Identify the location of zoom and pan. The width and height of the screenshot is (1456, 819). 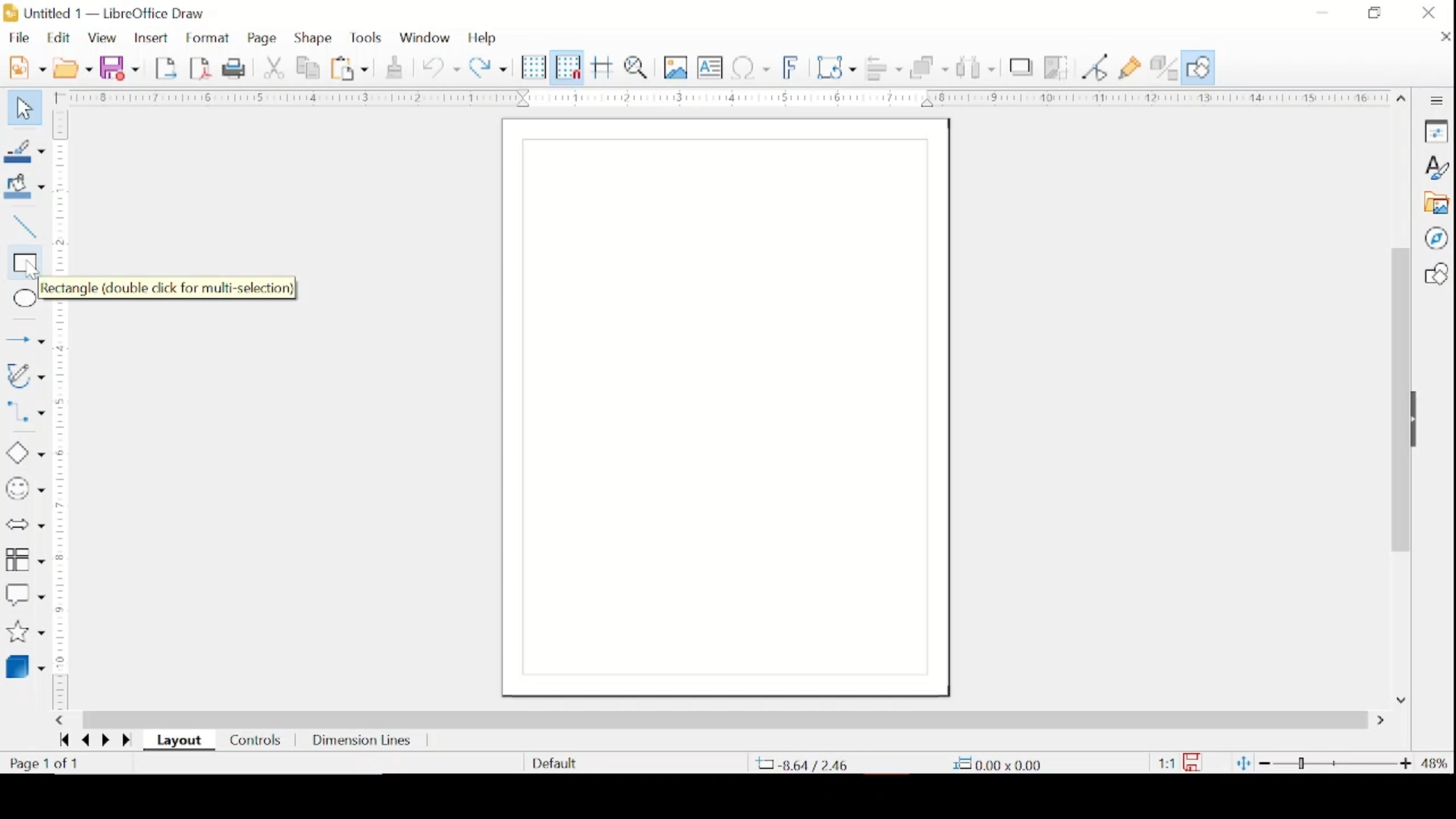
(639, 67).